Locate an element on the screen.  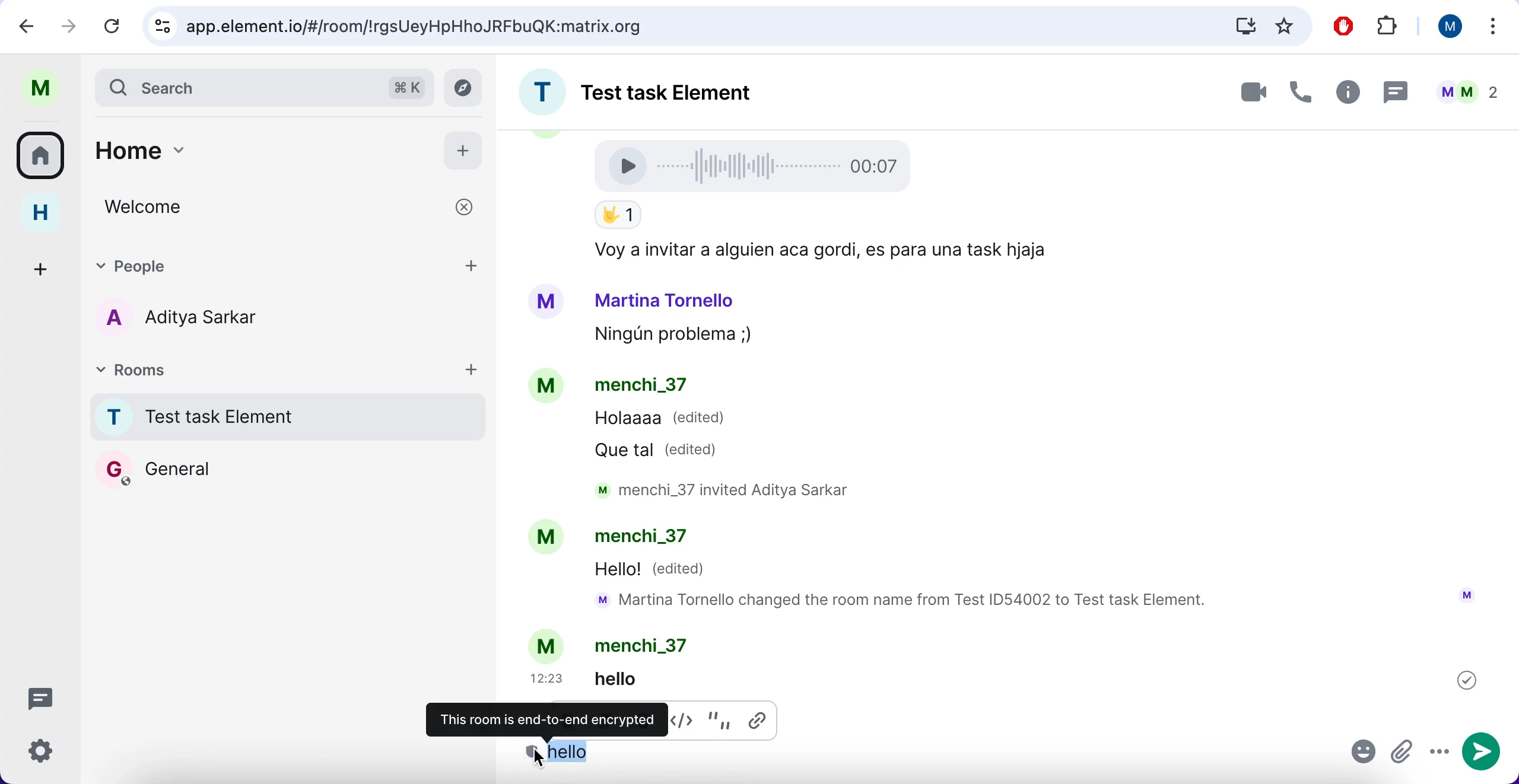
emoji is located at coordinates (1364, 754).